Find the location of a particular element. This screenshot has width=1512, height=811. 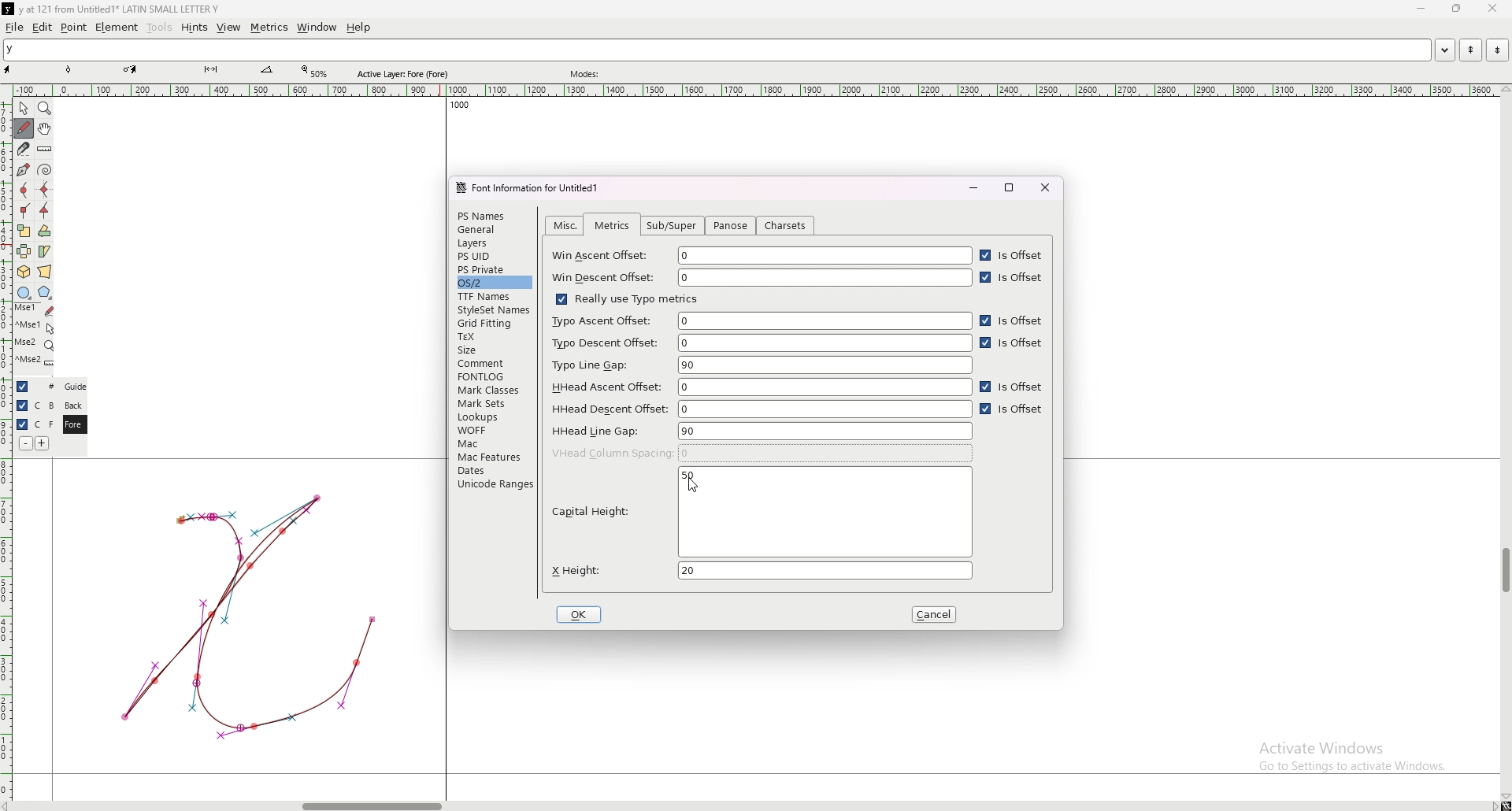

next word is located at coordinates (1494, 50).